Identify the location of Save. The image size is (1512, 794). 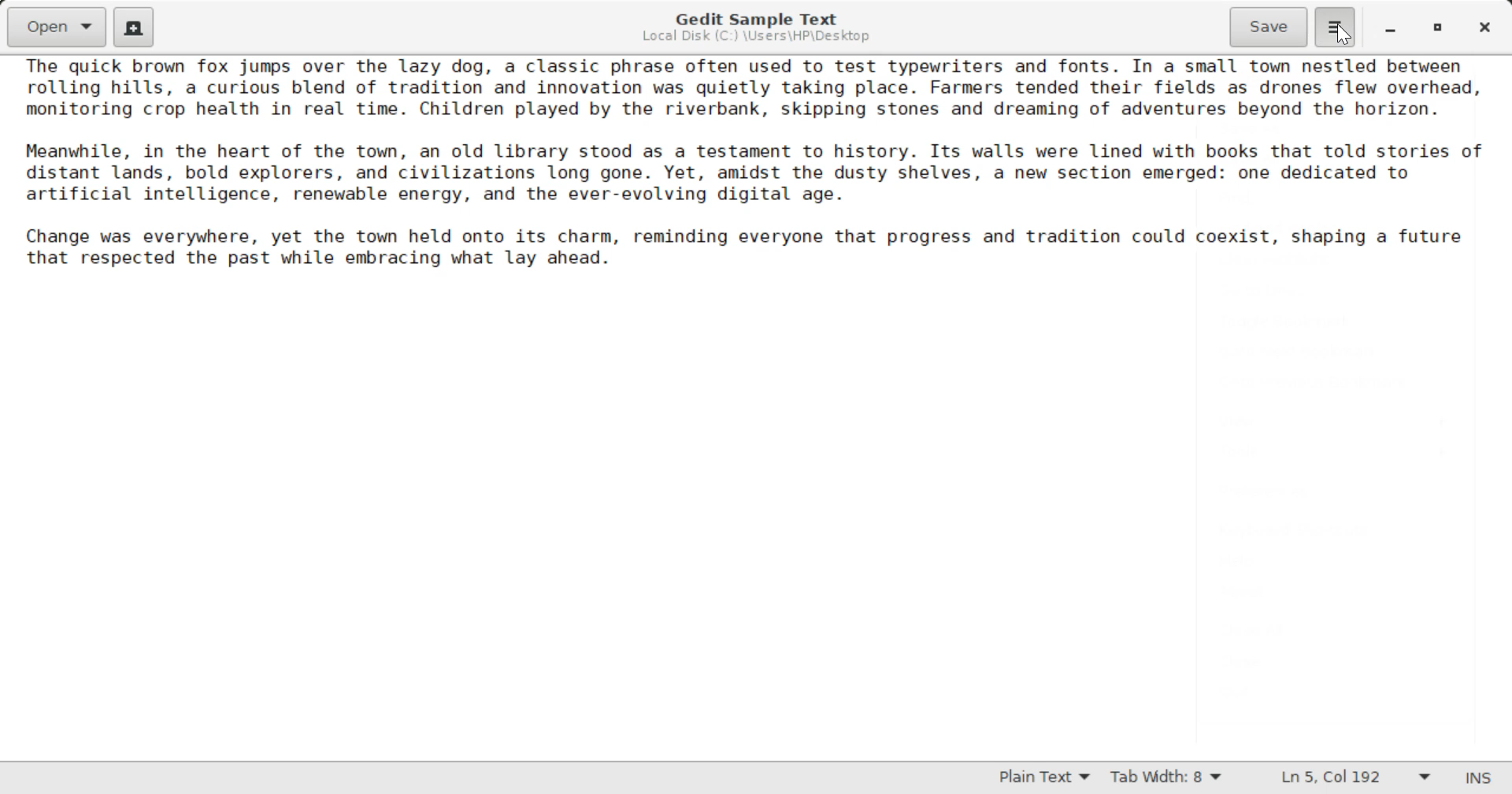
(1269, 25).